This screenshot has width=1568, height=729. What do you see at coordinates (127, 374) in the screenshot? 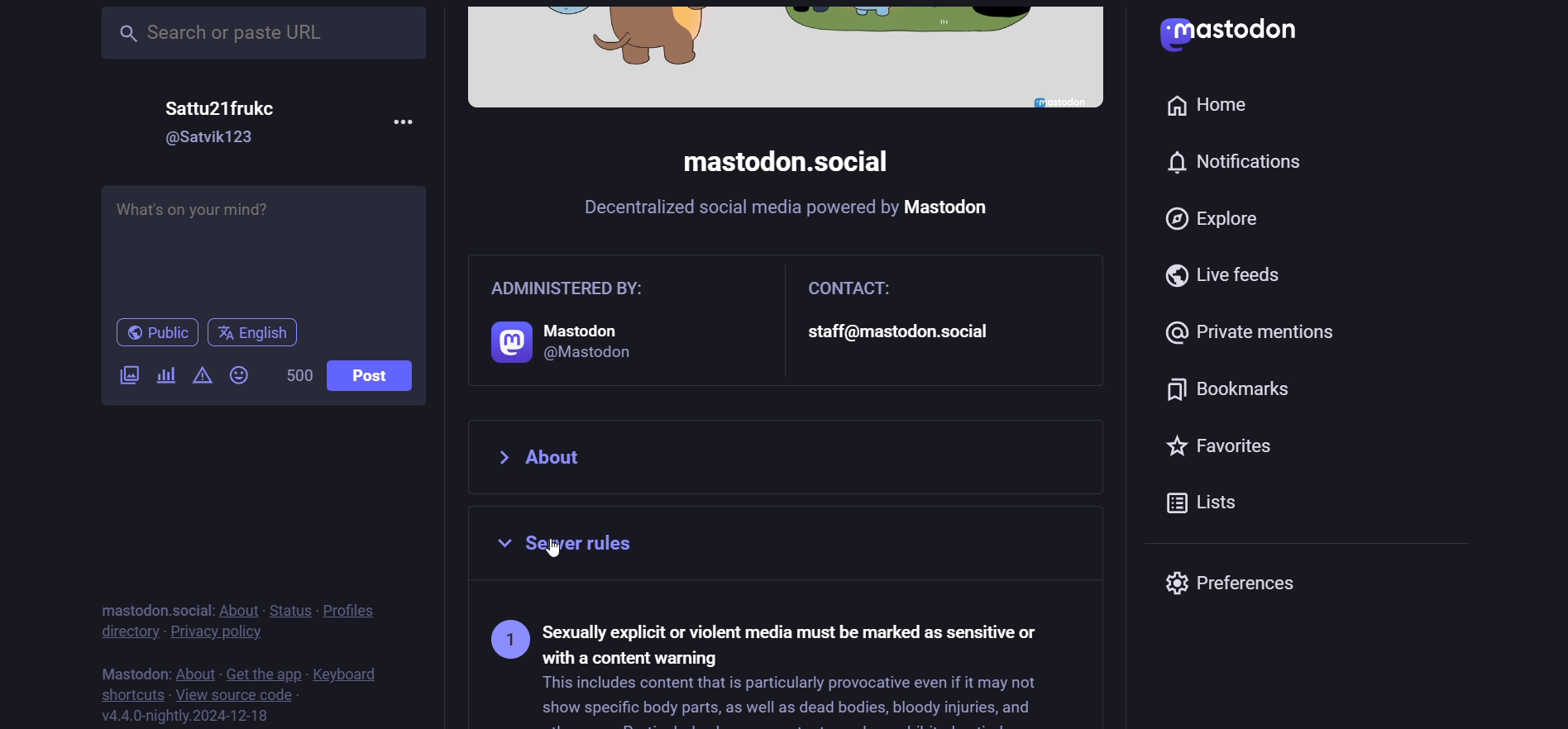
I see `image/video` at bounding box center [127, 374].